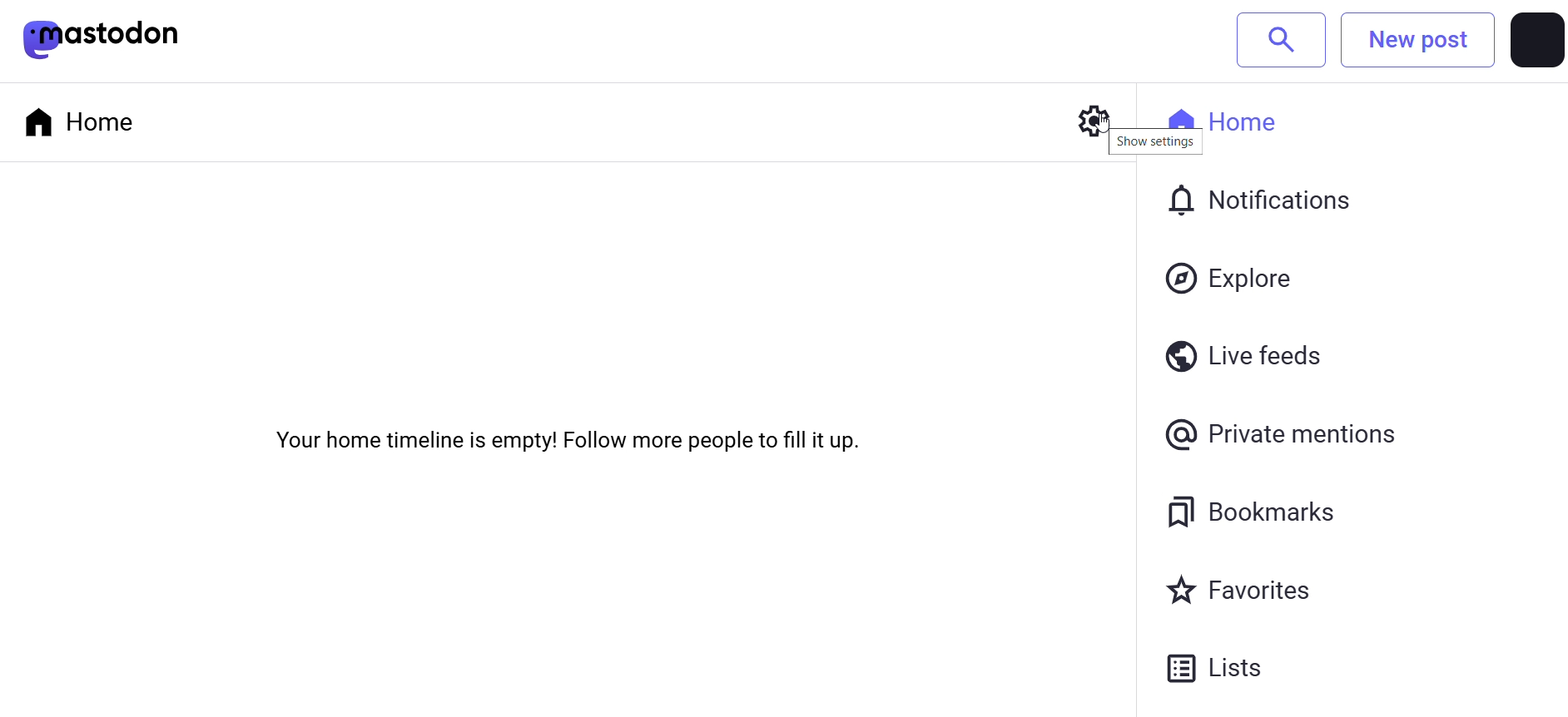 Image resolution: width=1568 pixels, height=717 pixels. I want to click on home , so click(83, 116).